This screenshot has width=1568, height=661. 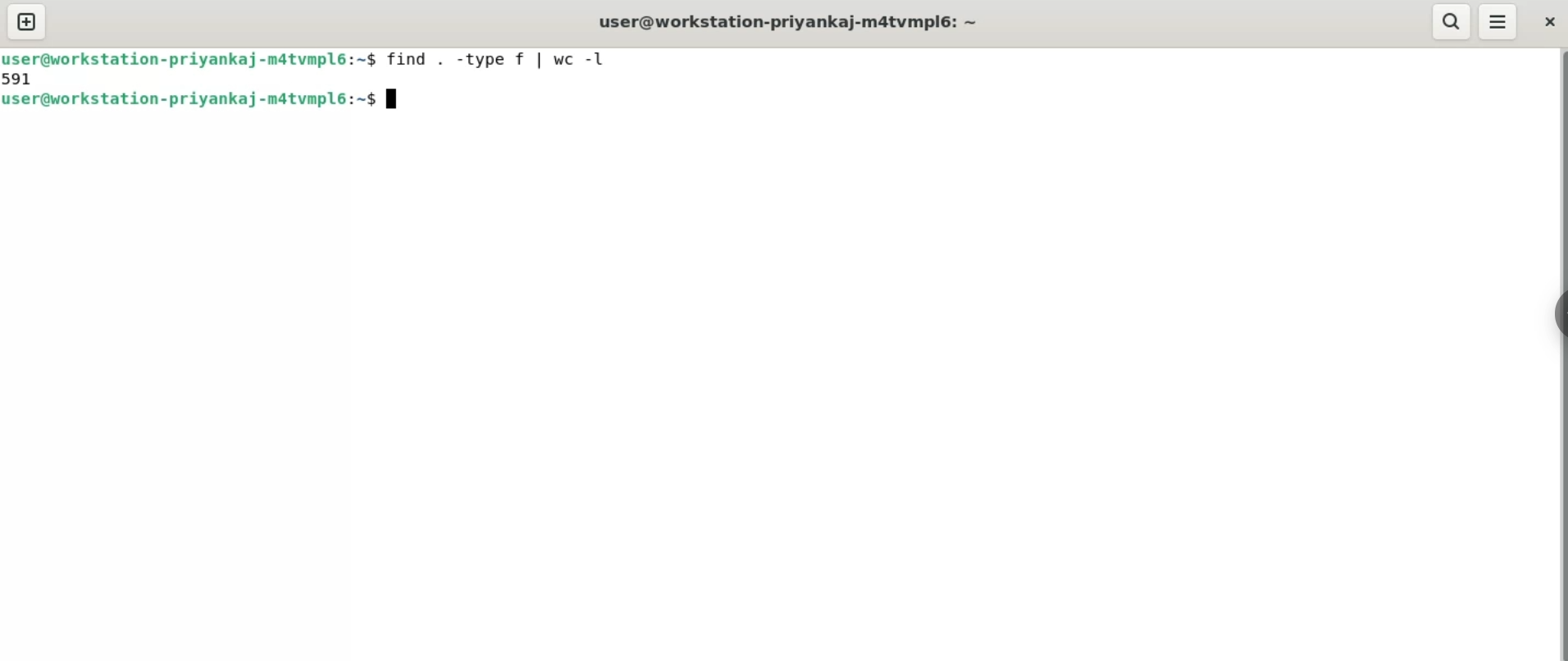 I want to click on new tab, so click(x=28, y=22).